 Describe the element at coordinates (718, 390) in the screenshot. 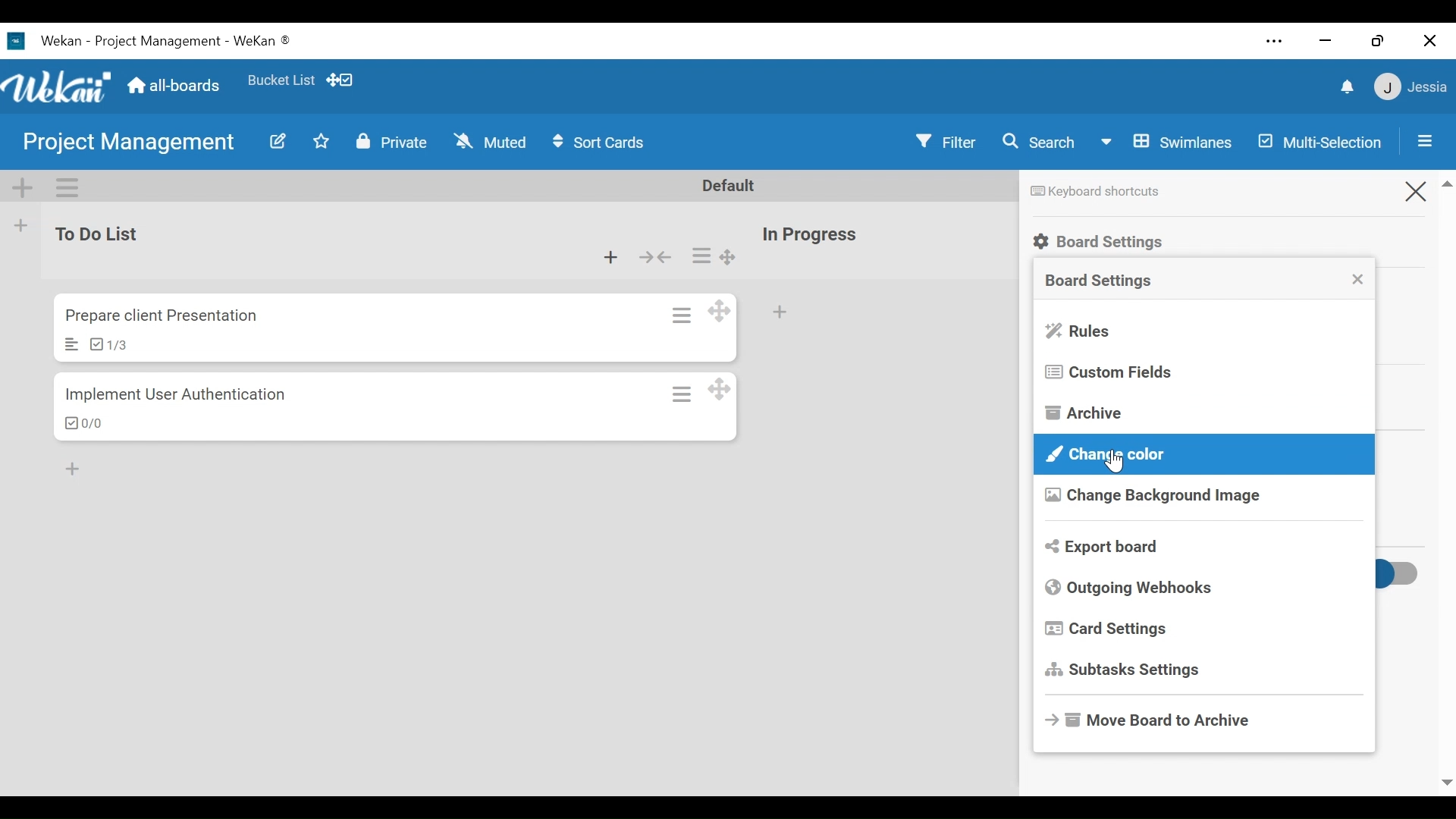

I see `Desktop drag handles` at that location.